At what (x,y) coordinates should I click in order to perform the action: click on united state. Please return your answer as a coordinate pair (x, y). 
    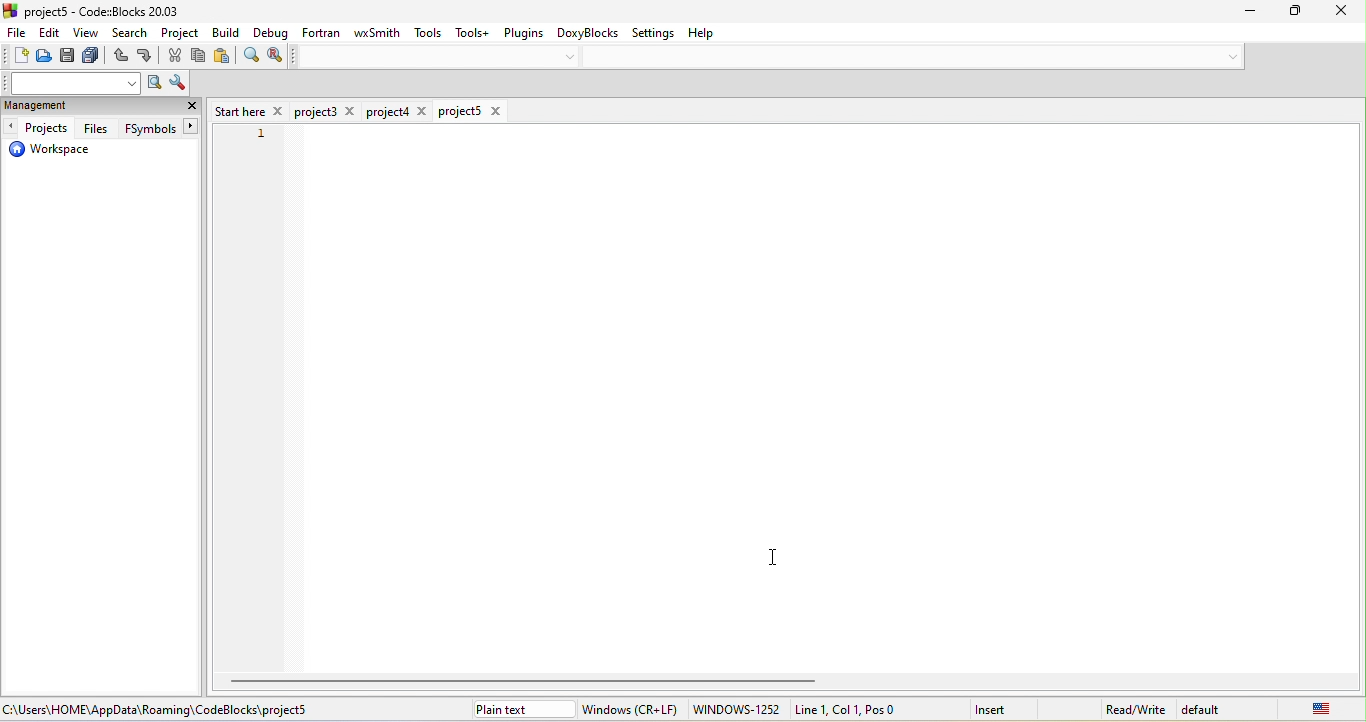
    Looking at the image, I should click on (1307, 708).